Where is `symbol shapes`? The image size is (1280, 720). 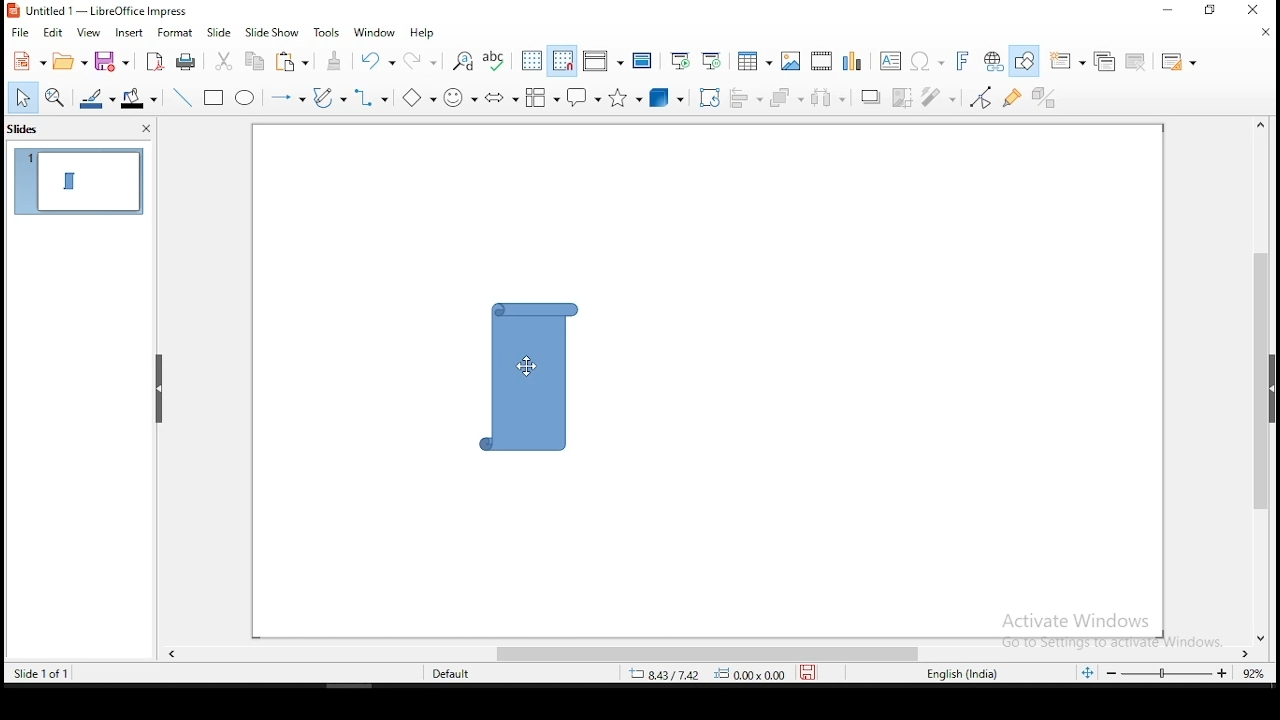 symbol shapes is located at coordinates (463, 95).